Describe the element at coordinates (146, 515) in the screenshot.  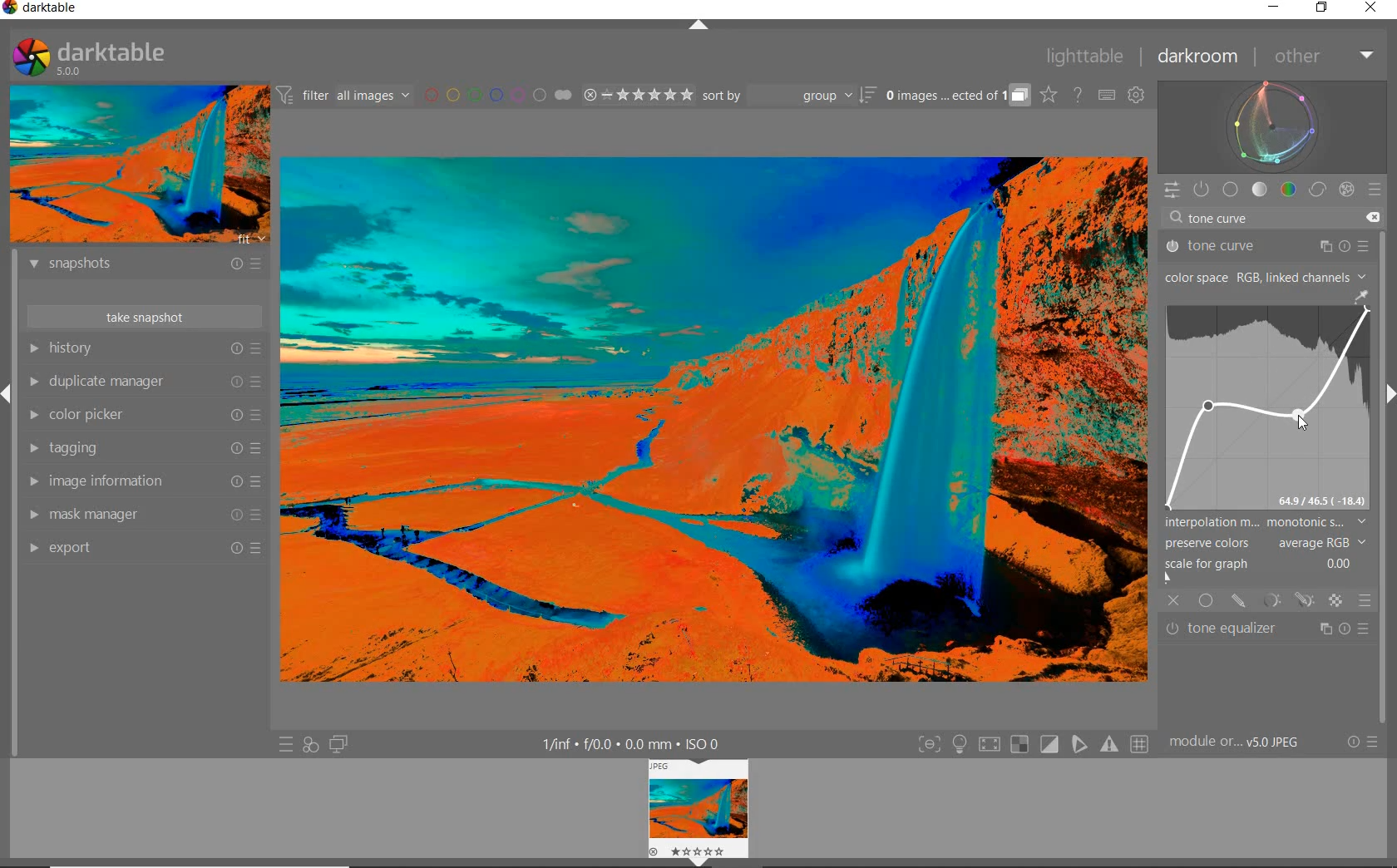
I see `mask manager` at that location.